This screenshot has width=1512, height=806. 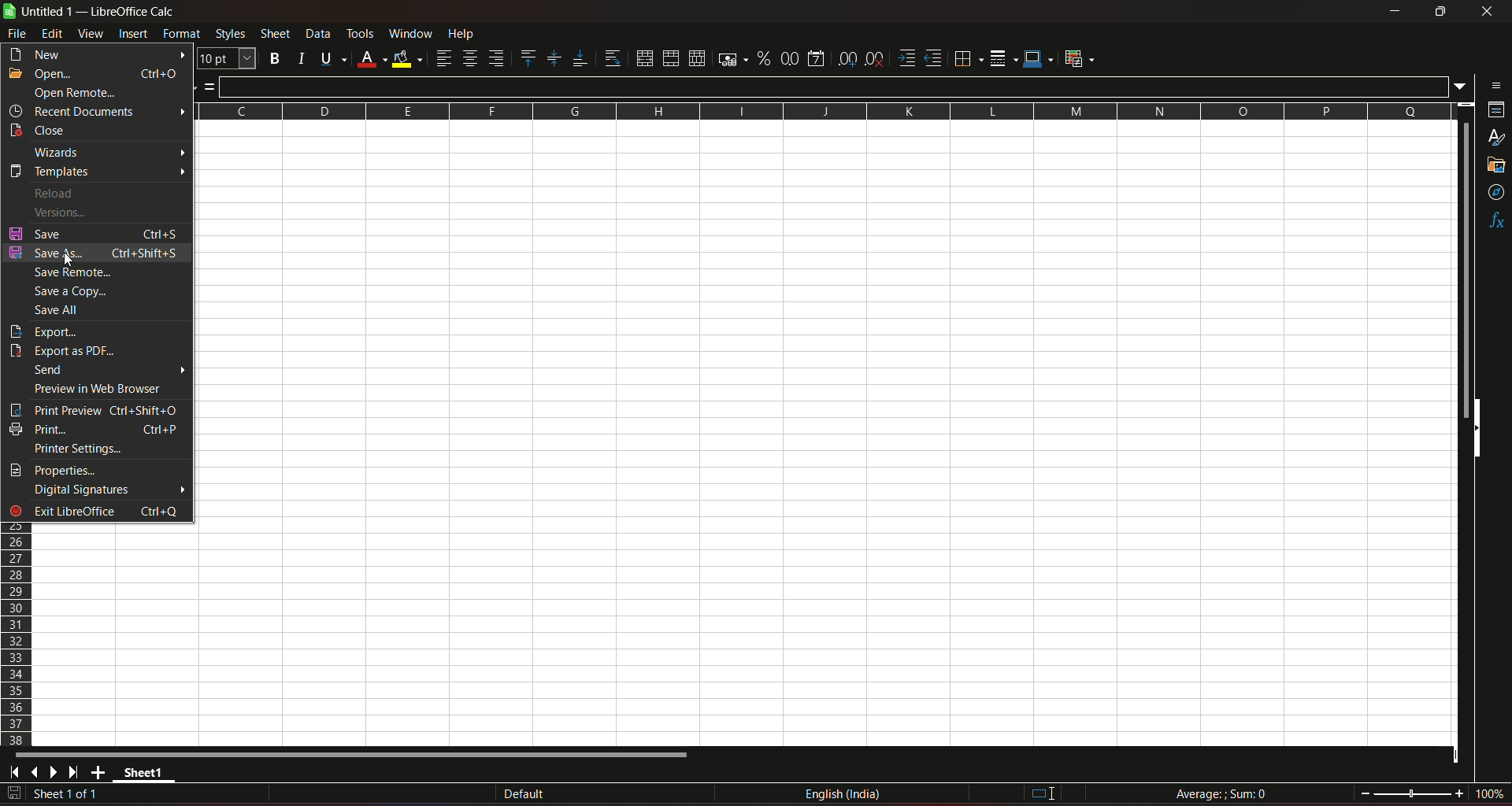 What do you see at coordinates (94, 410) in the screenshot?
I see `print preview` at bounding box center [94, 410].